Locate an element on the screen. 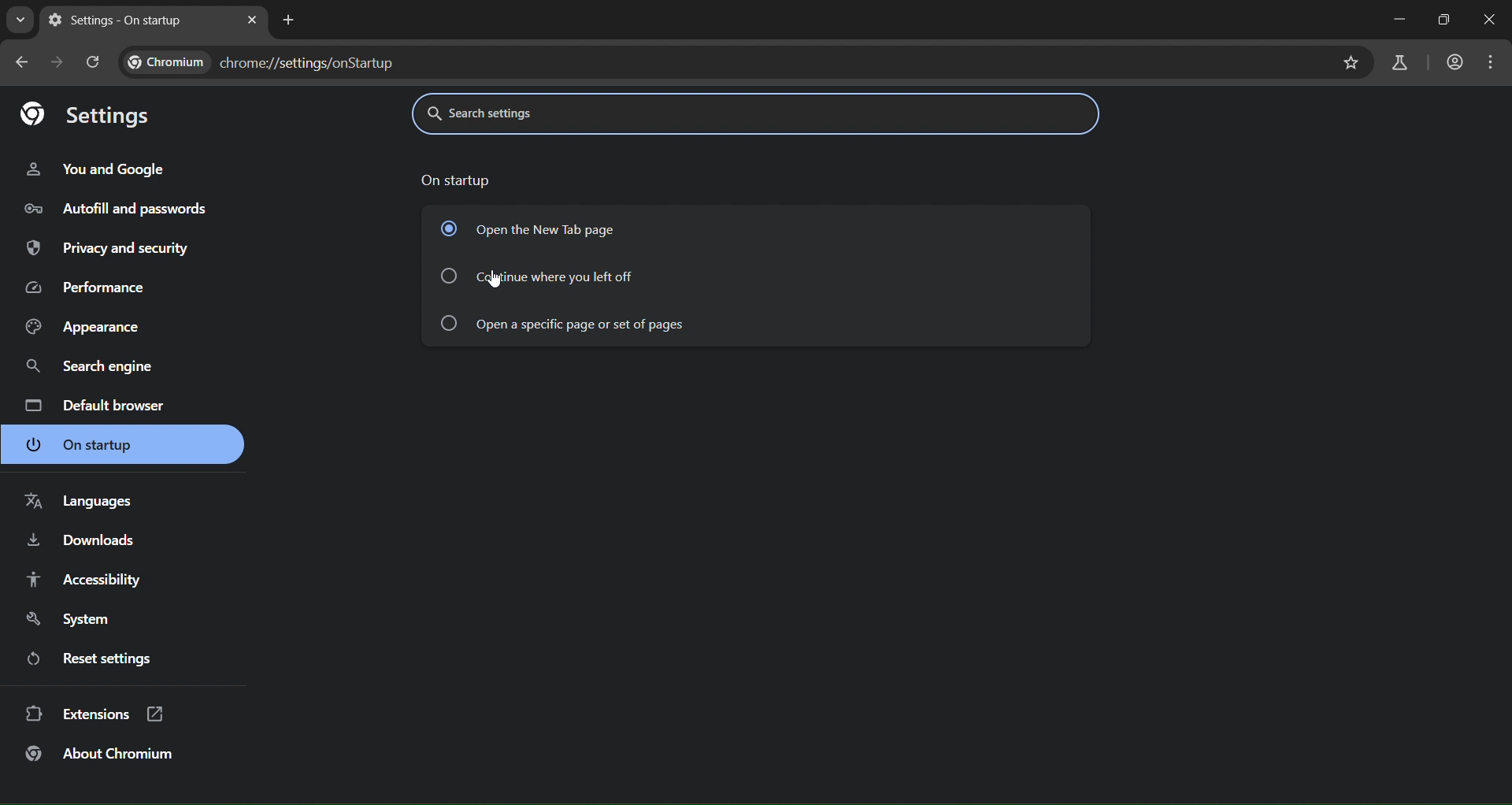 This screenshot has height=805, width=1512. system is located at coordinates (72, 620).